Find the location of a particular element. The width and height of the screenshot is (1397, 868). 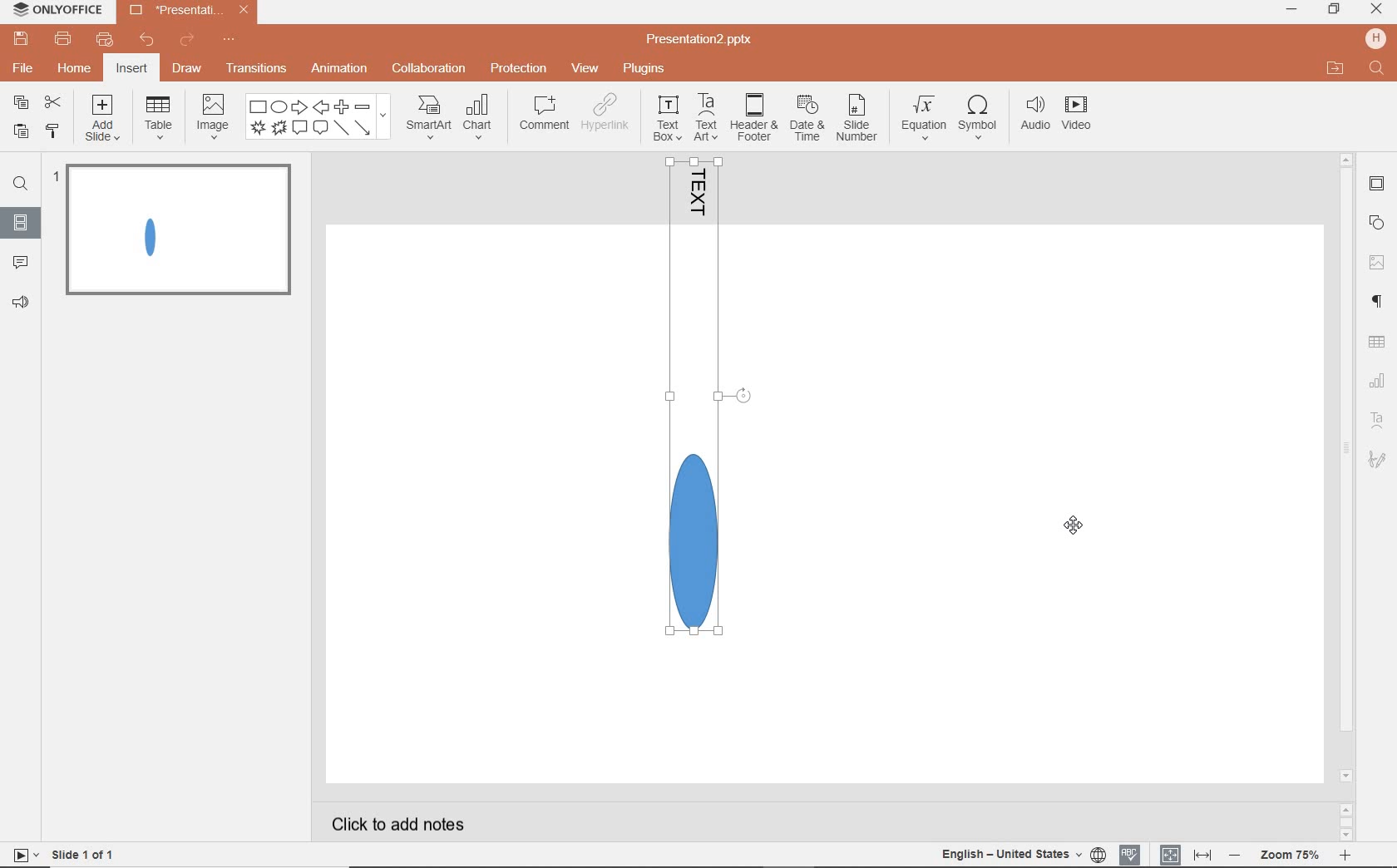

FIT TO SLIDE / FIT TO WIDTH is located at coordinates (1187, 853).